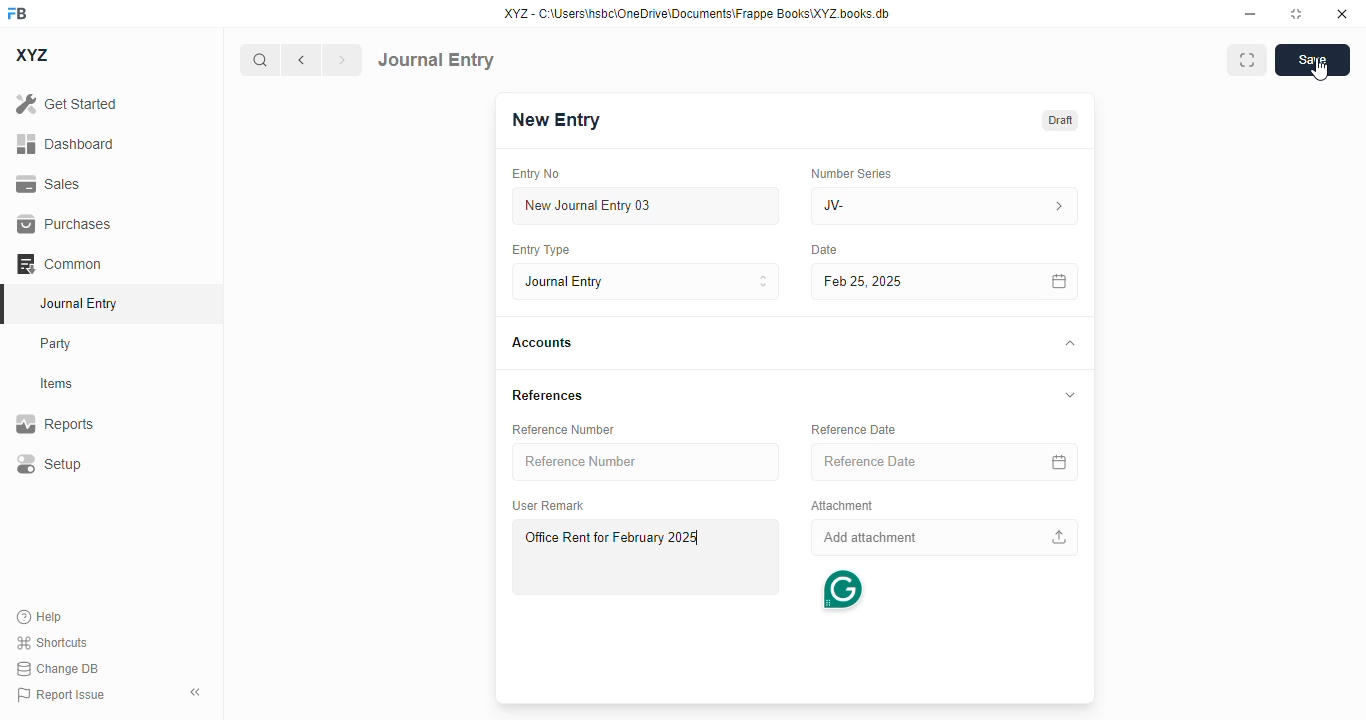 The image size is (1366, 720). I want to click on help, so click(40, 617).